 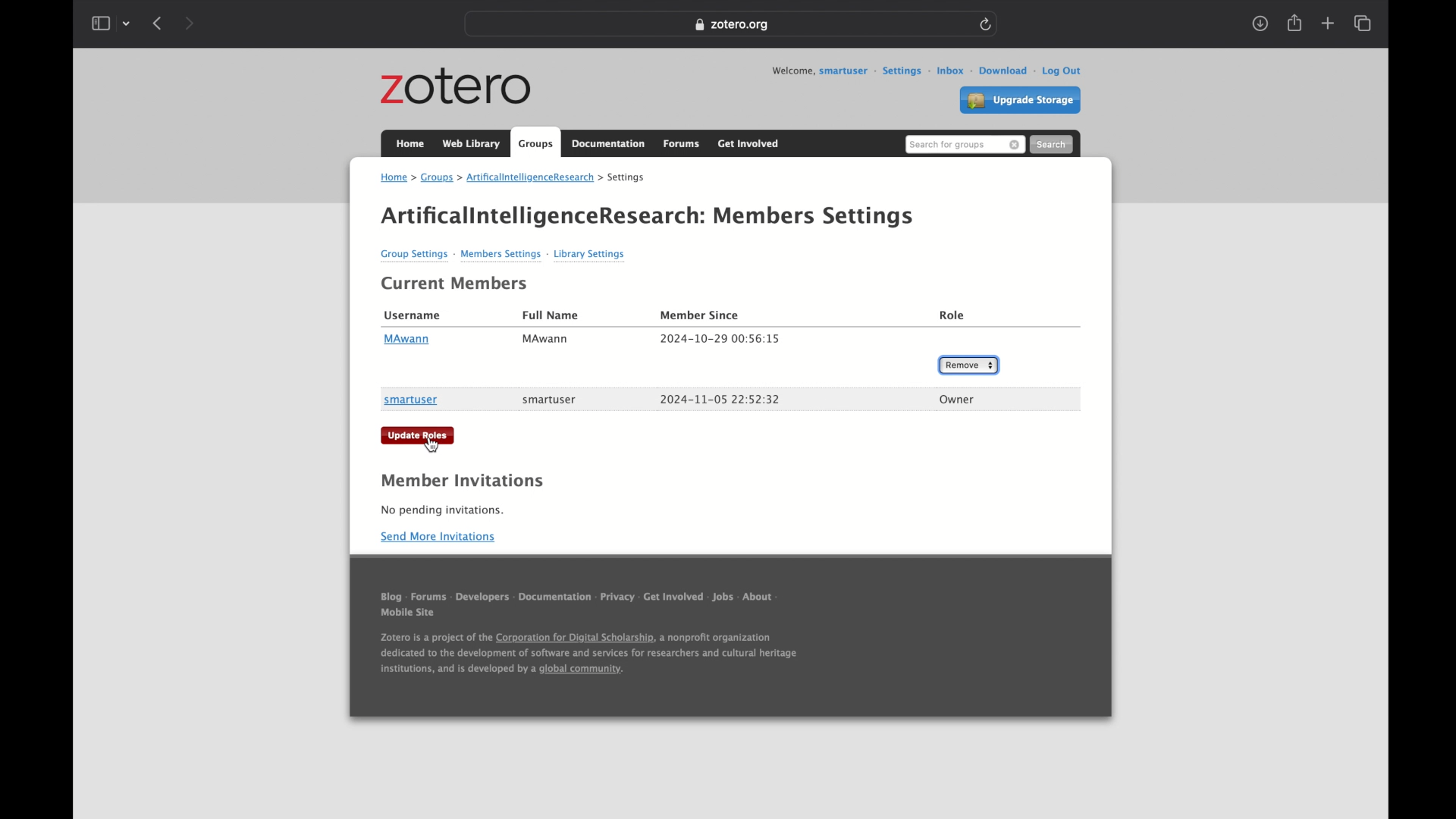 I want to click on upgrade  storage, so click(x=1020, y=101).